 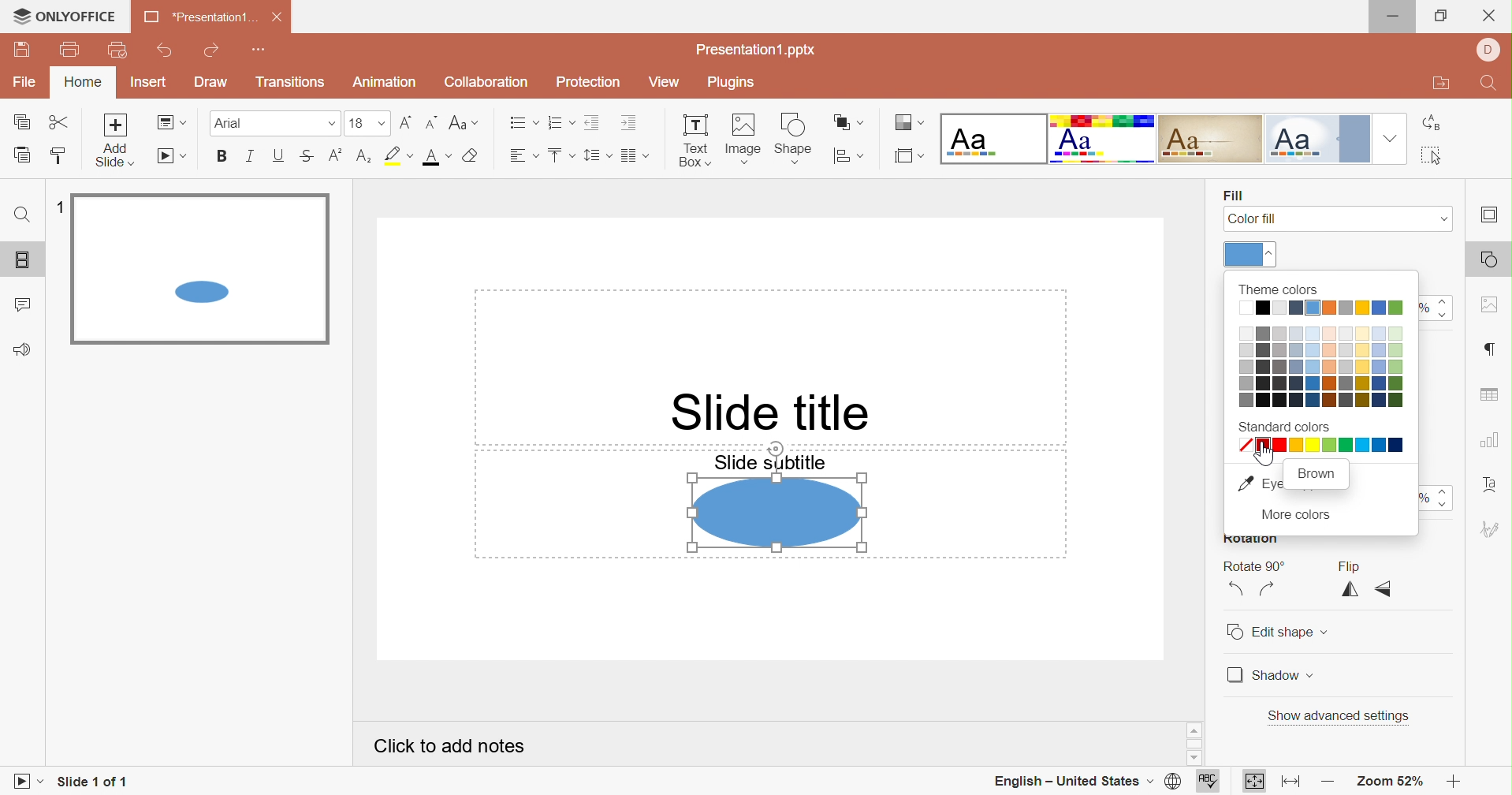 What do you see at coordinates (1451, 783) in the screenshot?
I see `Zoom in` at bounding box center [1451, 783].